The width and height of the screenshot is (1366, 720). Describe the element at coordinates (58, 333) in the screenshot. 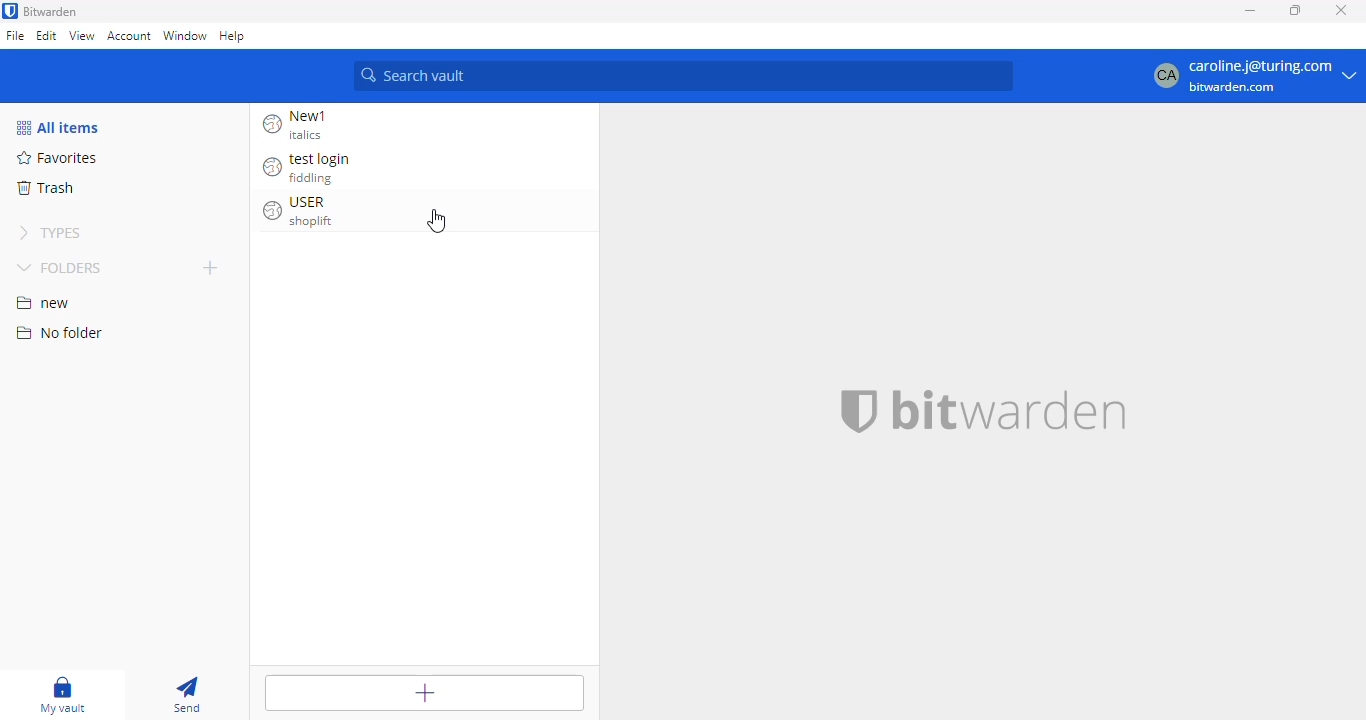

I see `no folder` at that location.